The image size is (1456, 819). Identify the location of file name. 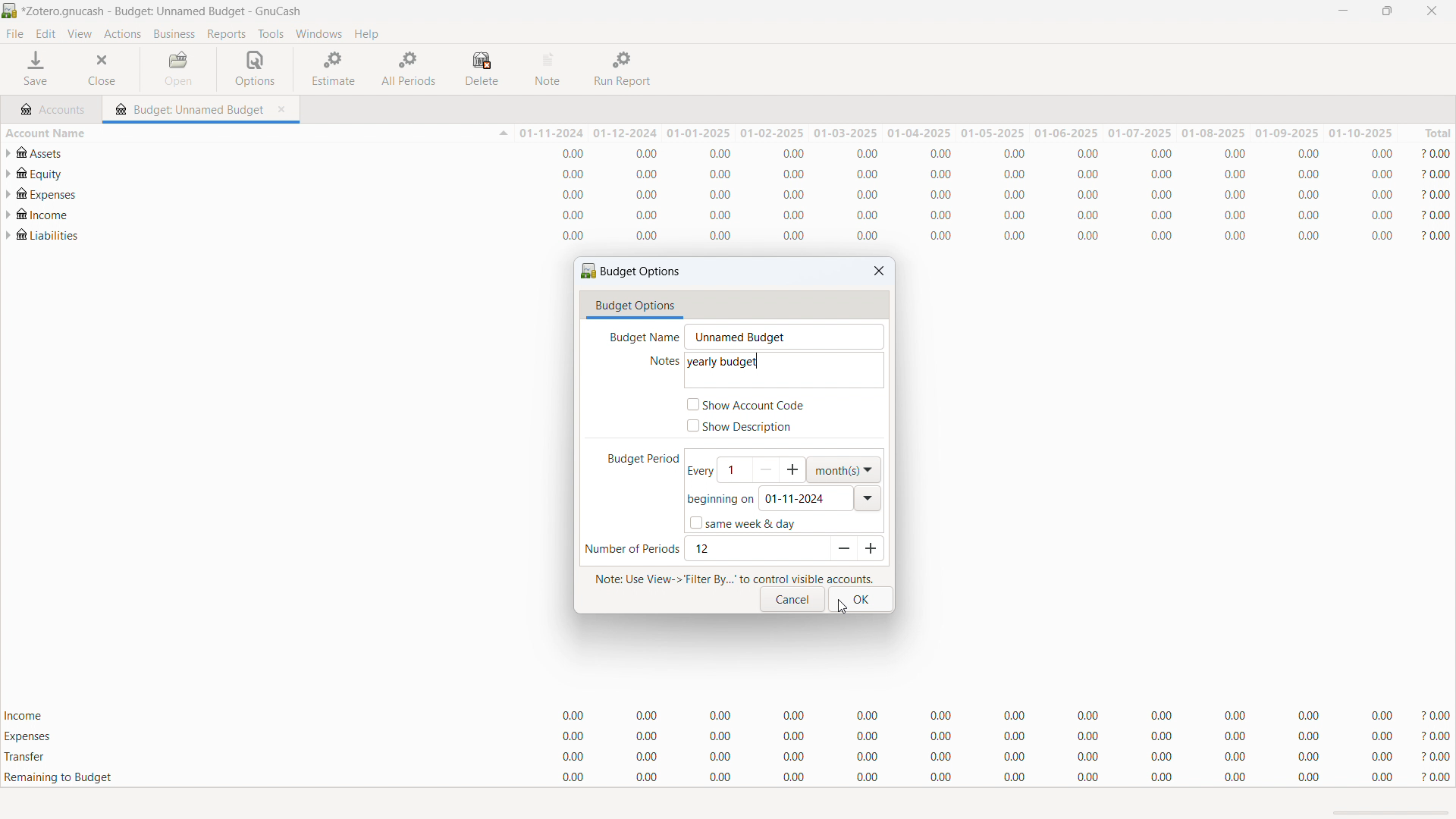
(163, 11).